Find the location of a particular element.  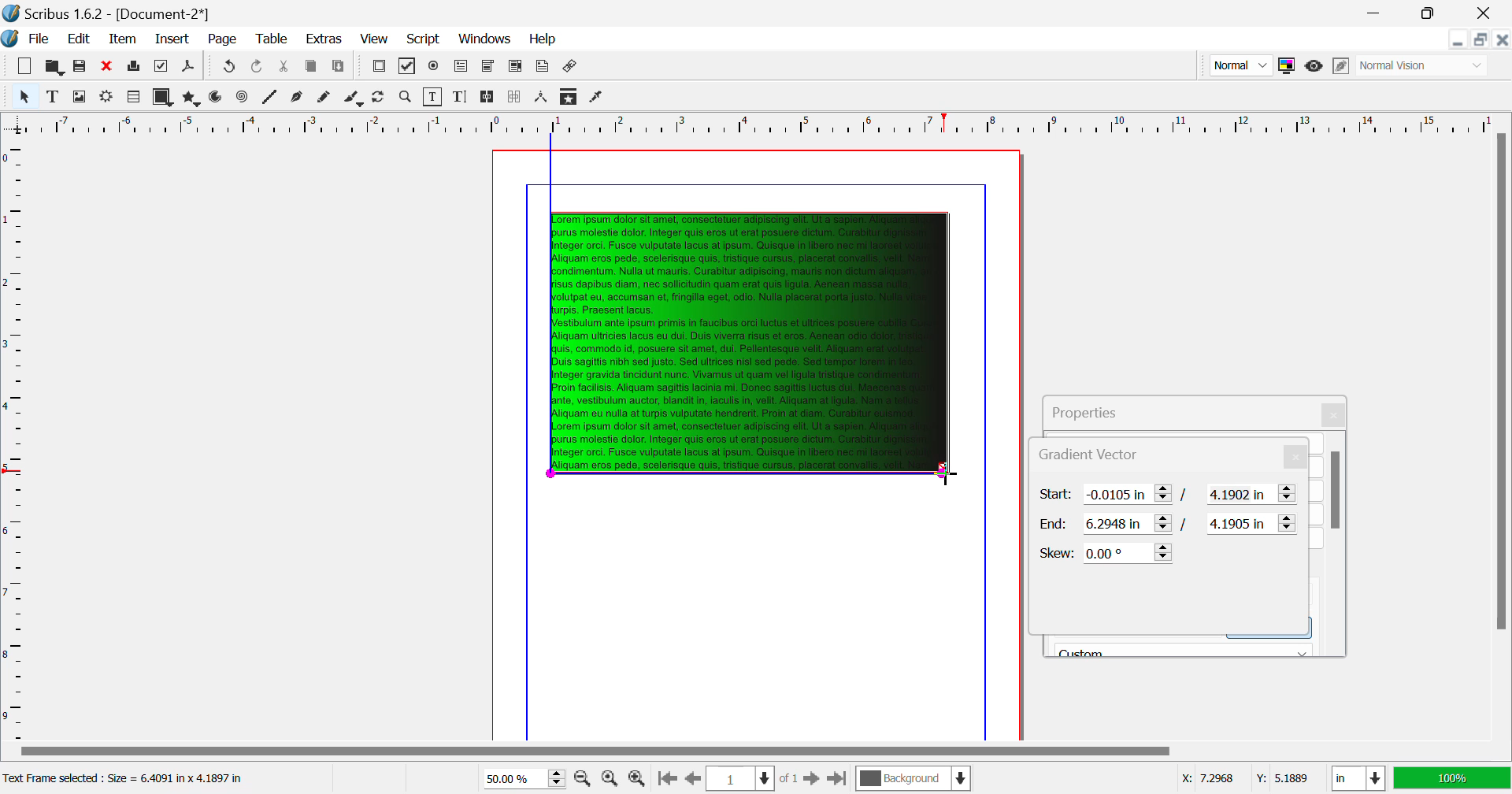

Scroll Bar is located at coordinates (1336, 544).